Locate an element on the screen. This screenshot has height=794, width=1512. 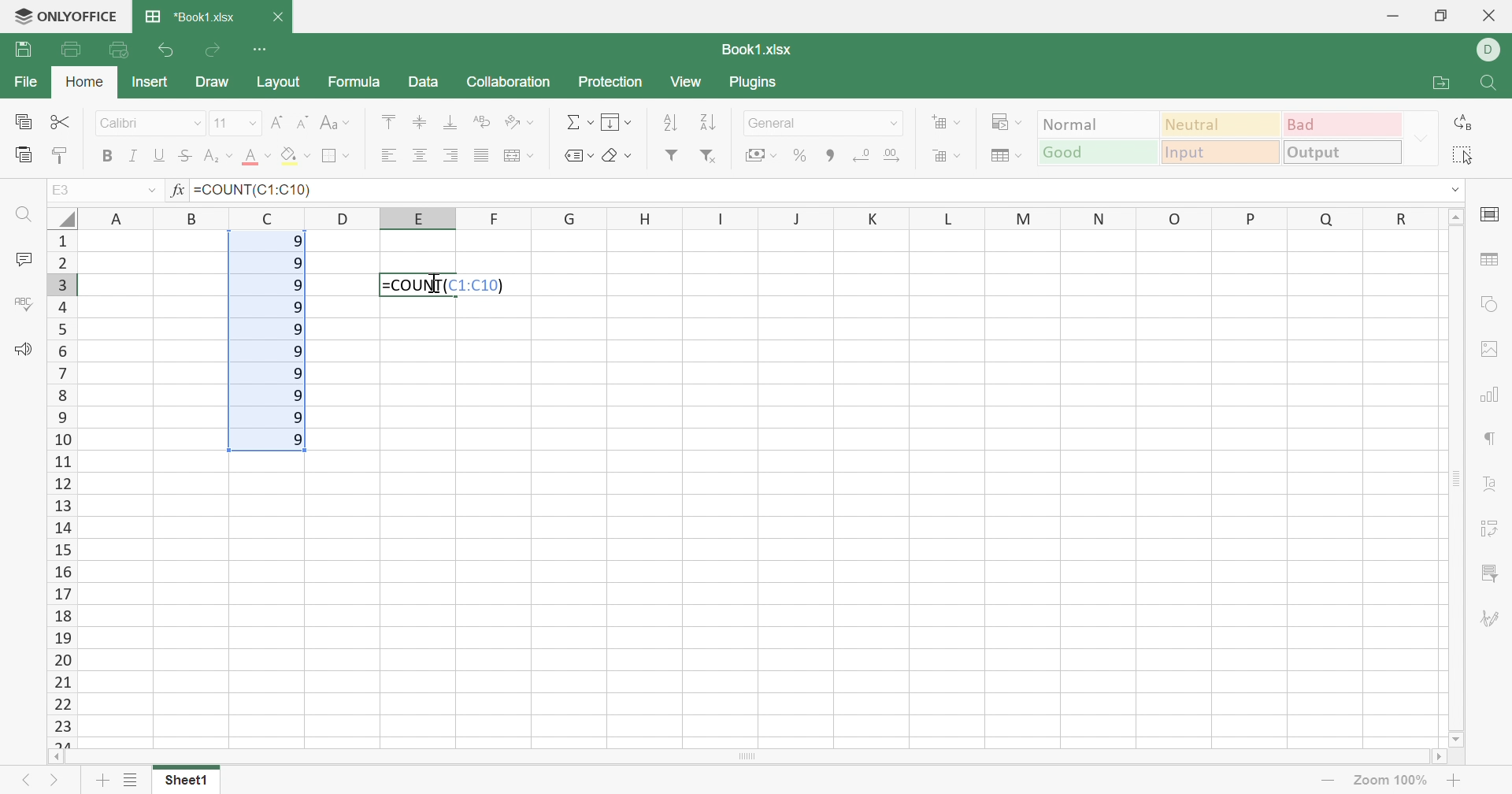
Find is located at coordinates (1490, 83).